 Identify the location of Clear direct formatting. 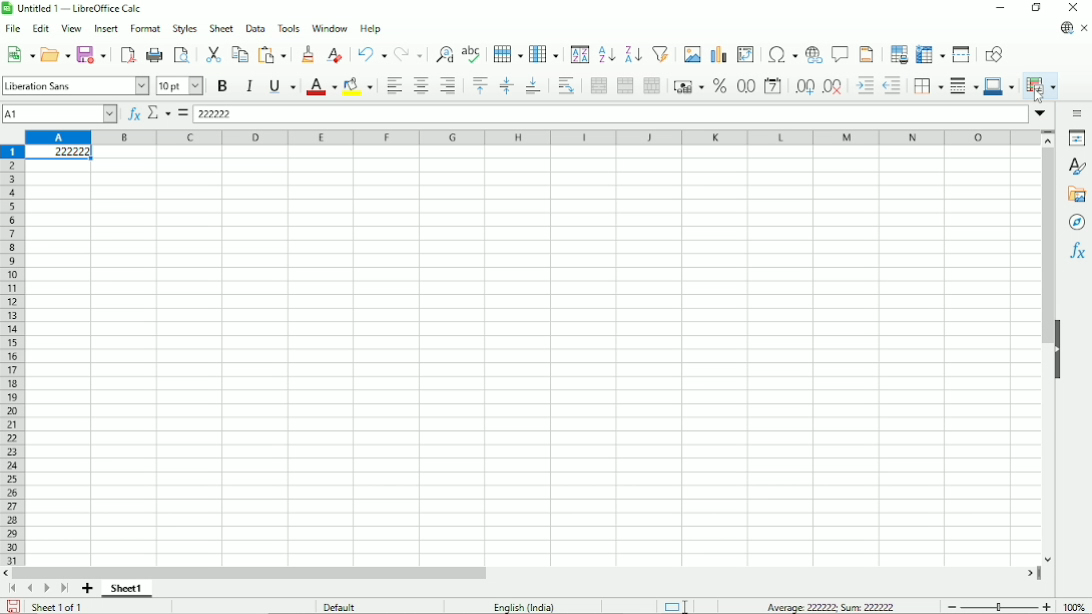
(335, 54).